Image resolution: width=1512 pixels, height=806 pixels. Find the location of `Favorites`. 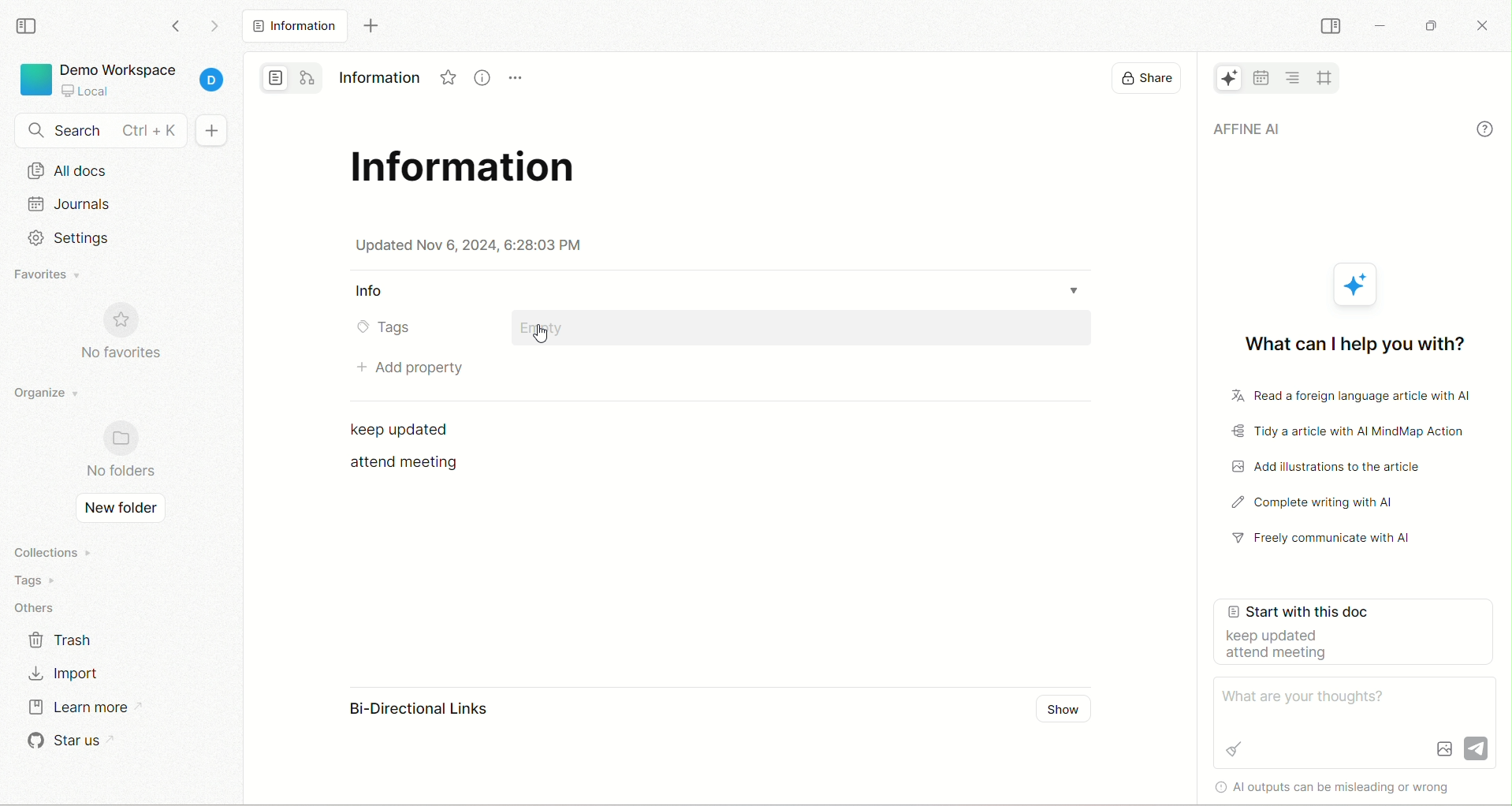

Favorites is located at coordinates (444, 80).